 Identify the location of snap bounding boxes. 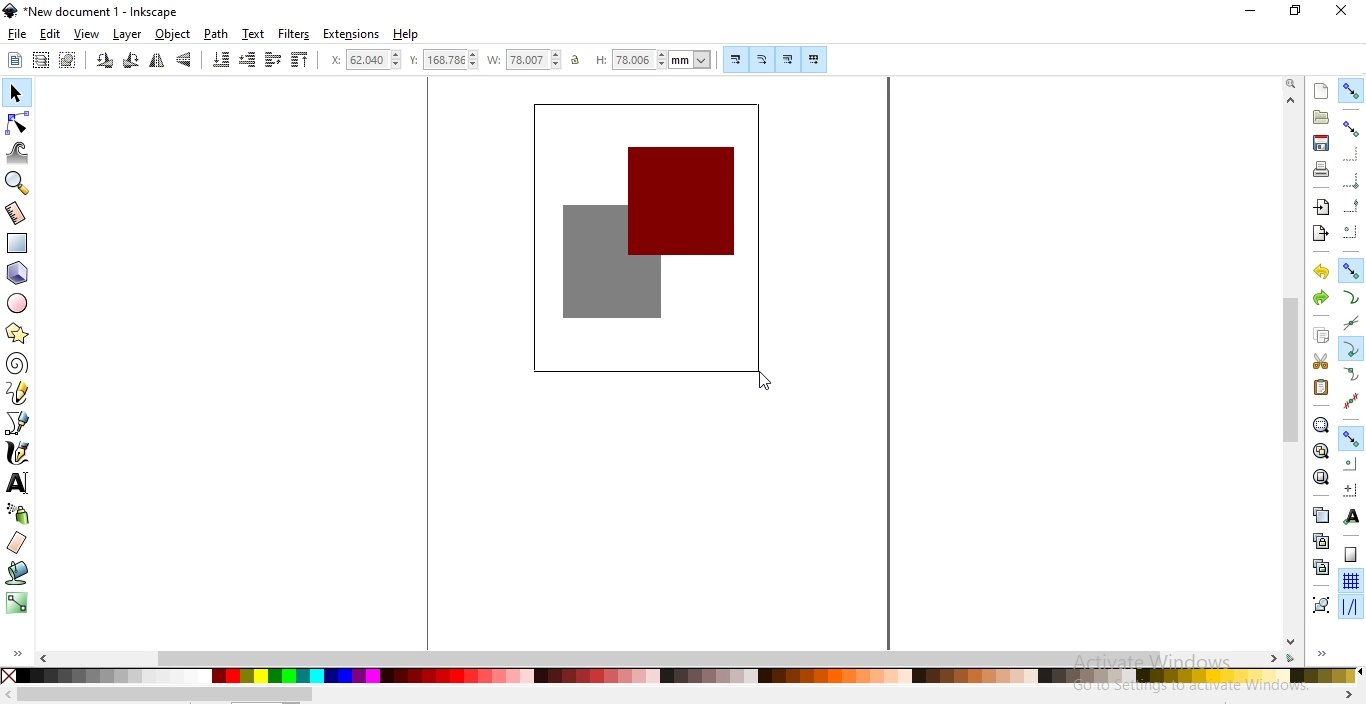
(1353, 128).